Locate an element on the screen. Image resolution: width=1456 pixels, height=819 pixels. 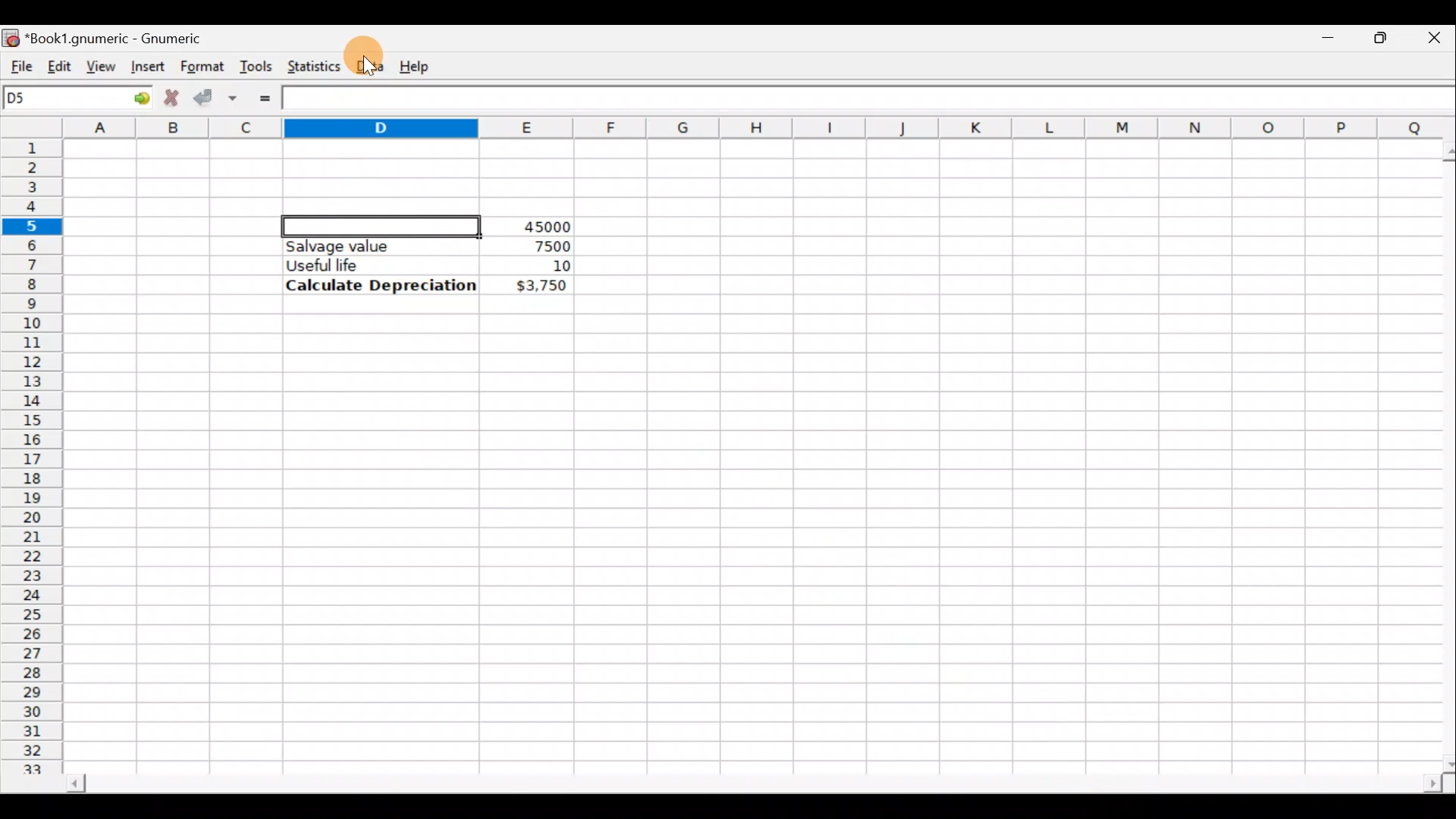
Scroll bar is located at coordinates (1439, 454).